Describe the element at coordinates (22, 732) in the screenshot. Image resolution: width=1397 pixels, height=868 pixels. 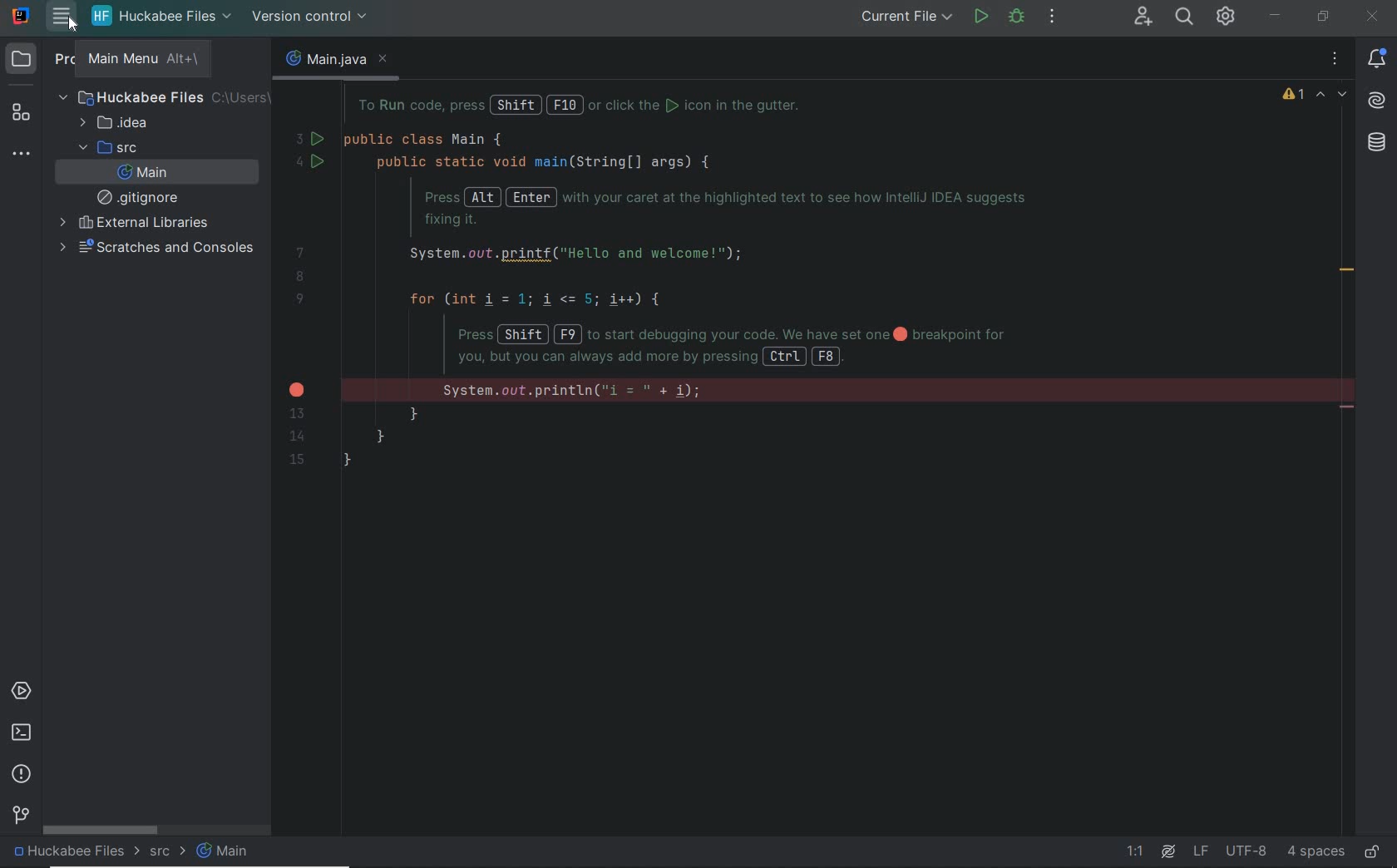
I see `terminal` at that location.